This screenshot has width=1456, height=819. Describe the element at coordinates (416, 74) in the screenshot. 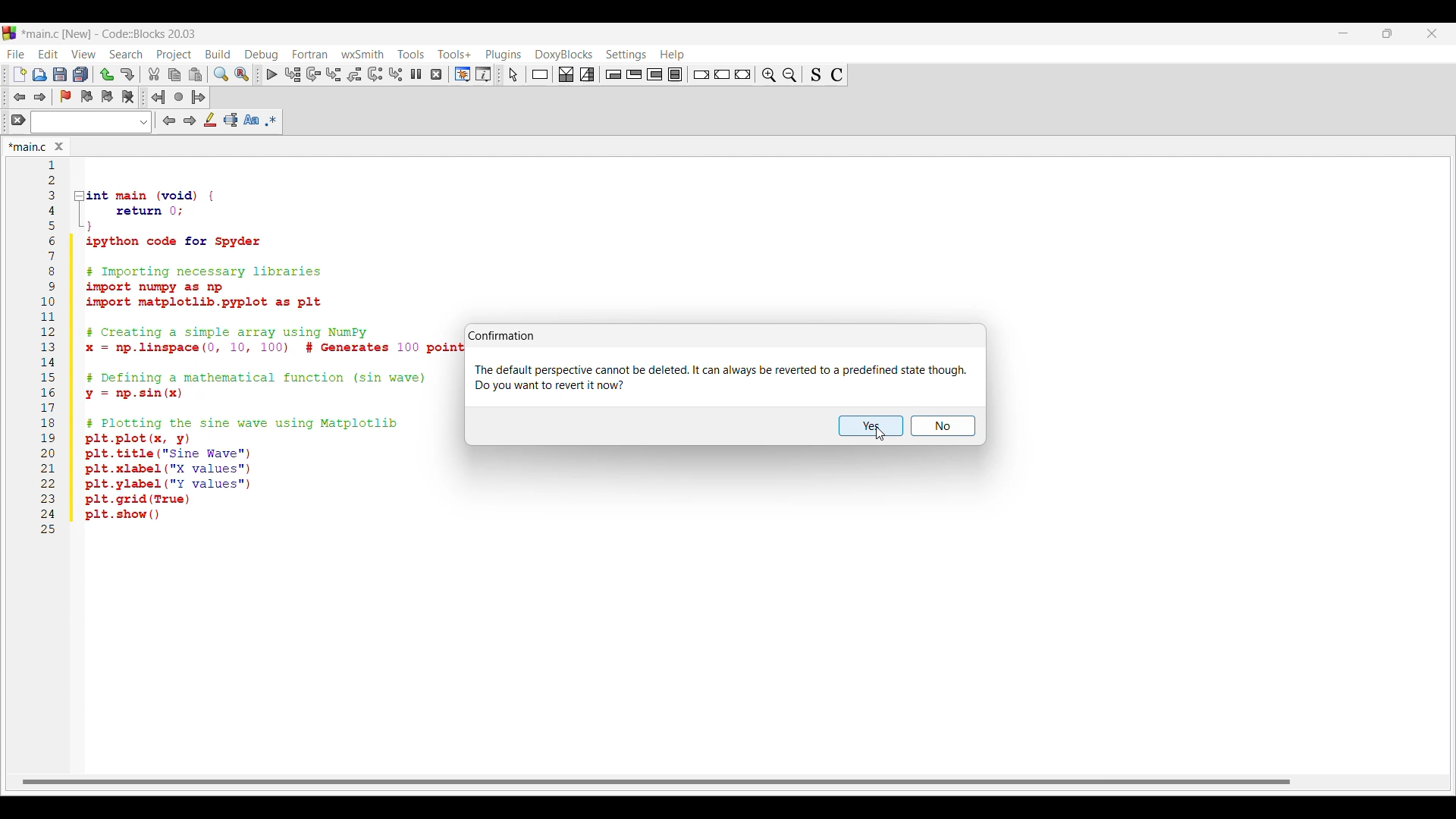

I see `Break debugger` at that location.